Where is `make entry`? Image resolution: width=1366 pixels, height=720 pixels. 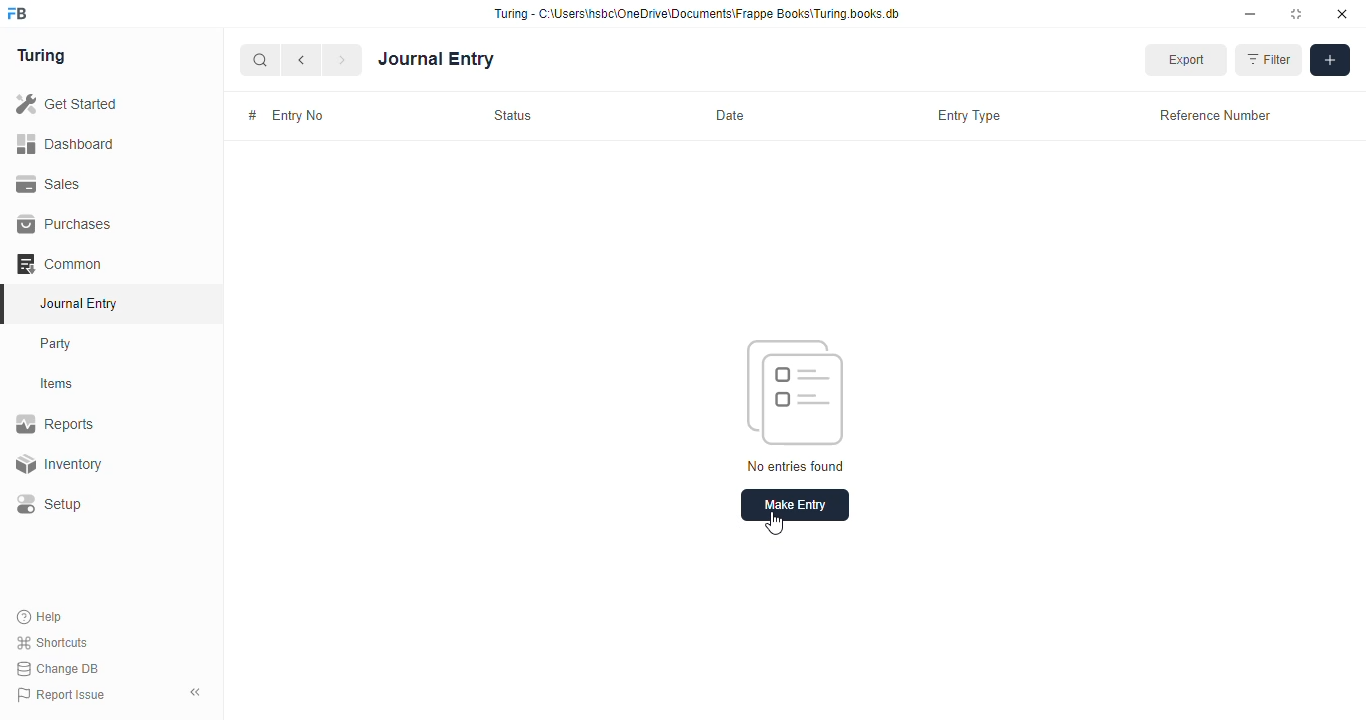
make entry is located at coordinates (795, 505).